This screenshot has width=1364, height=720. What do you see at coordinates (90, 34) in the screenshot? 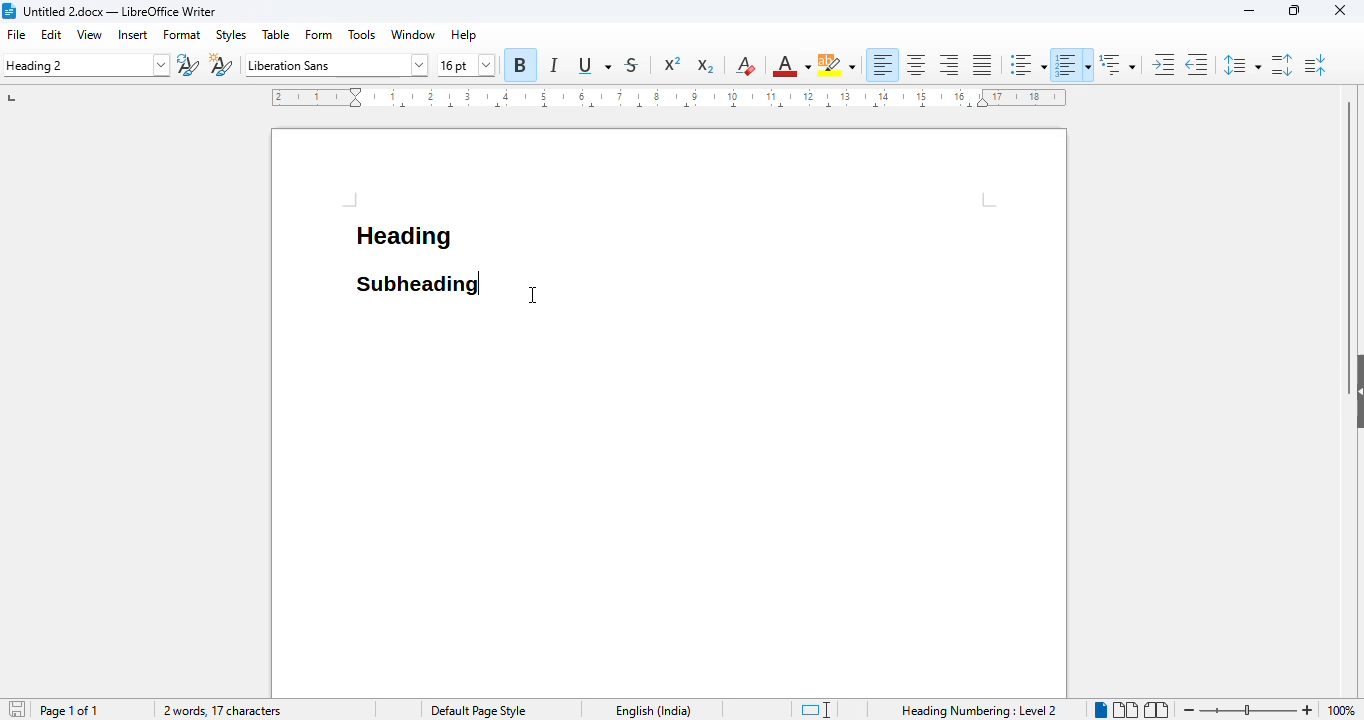
I see `view` at bounding box center [90, 34].